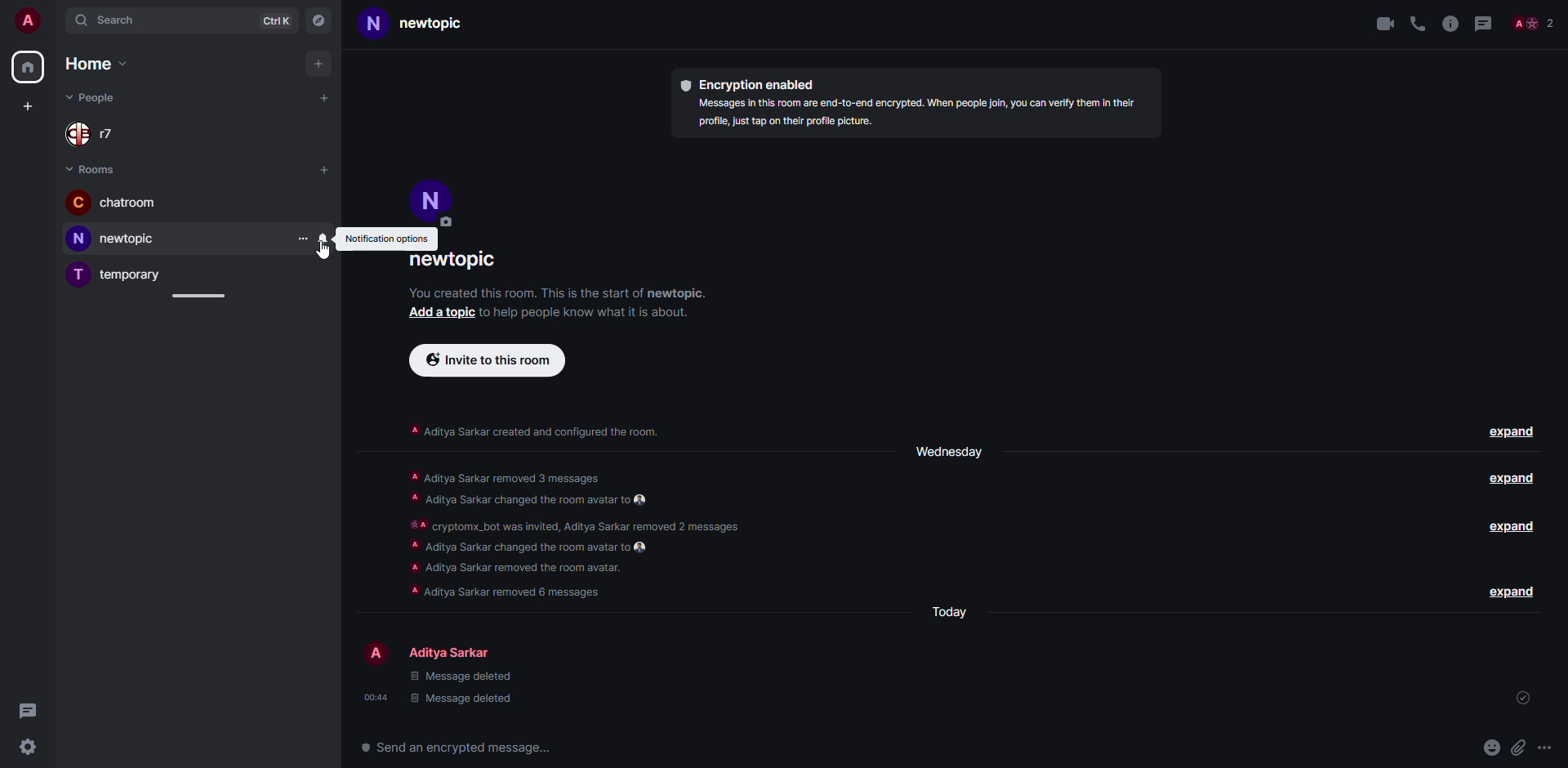 This screenshot has width=1568, height=768. I want to click on adjust, so click(198, 297).